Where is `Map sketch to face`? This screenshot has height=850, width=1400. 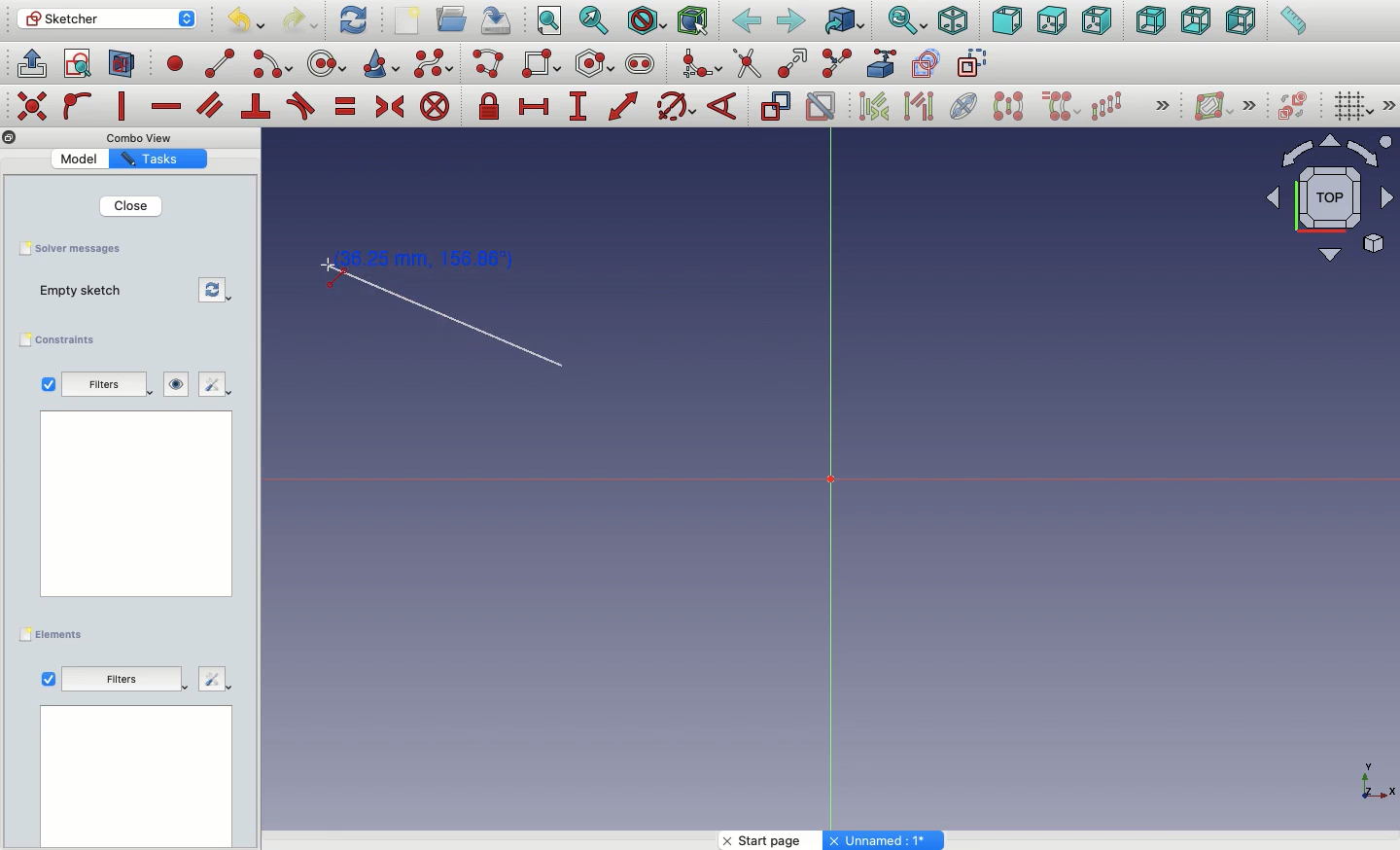
Map sketch to face is located at coordinates (122, 64).